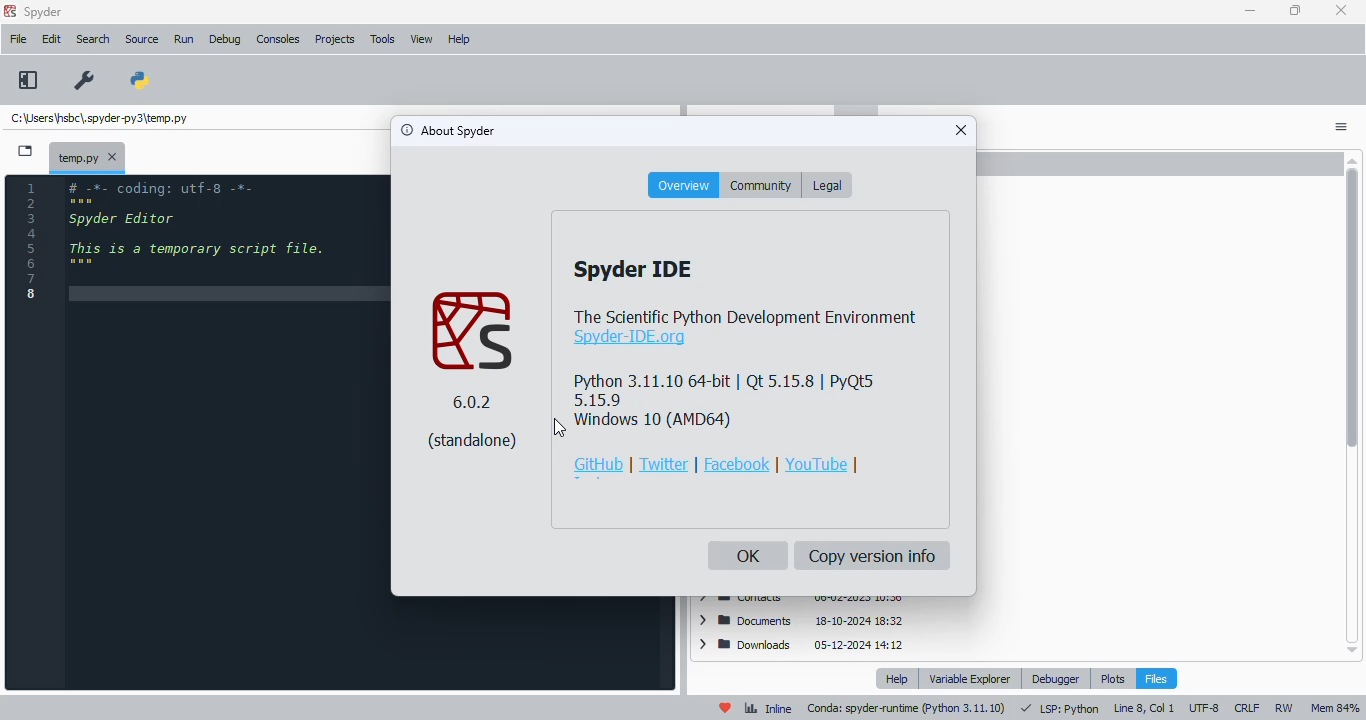 This screenshot has width=1366, height=720. What do you see at coordinates (1060, 709) in the screenshot?
I see `LSP: python` at bounding box center [1060, 709].